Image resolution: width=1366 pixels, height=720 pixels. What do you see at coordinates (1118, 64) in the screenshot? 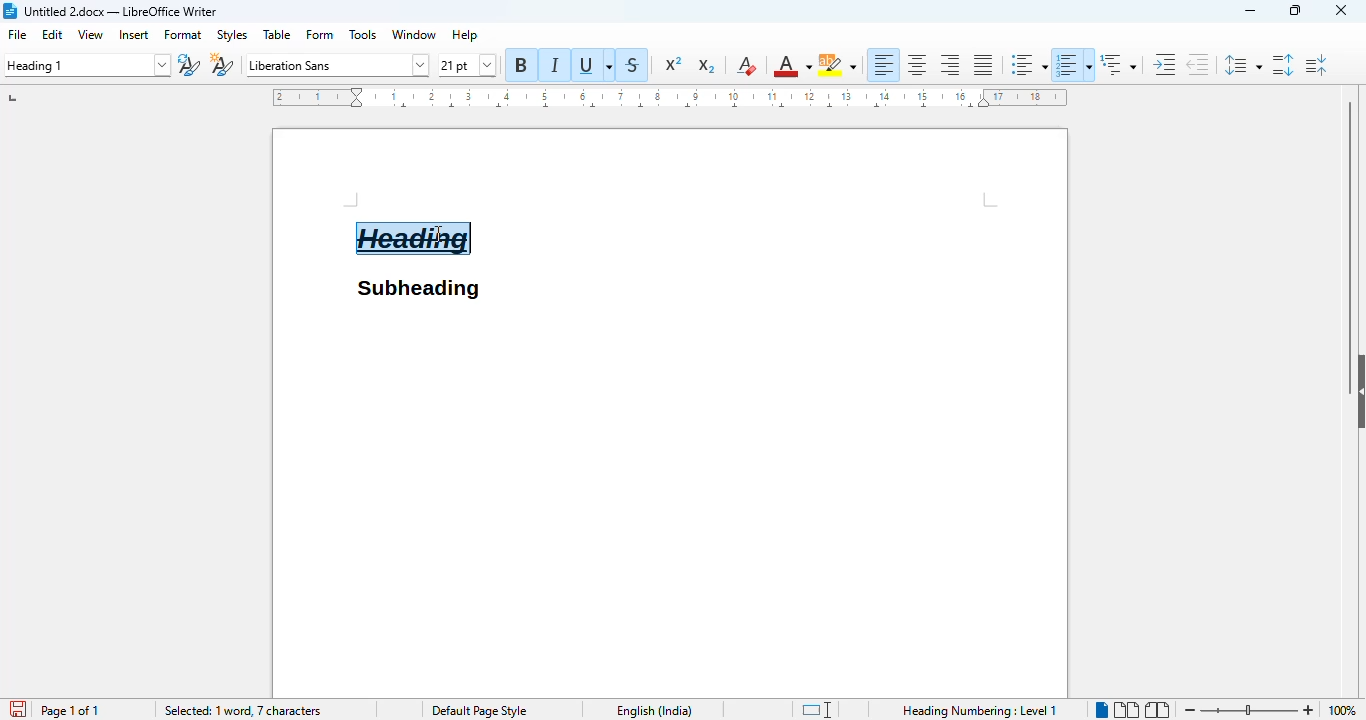
I see `set outline format` at bounding box center [1118, 64].